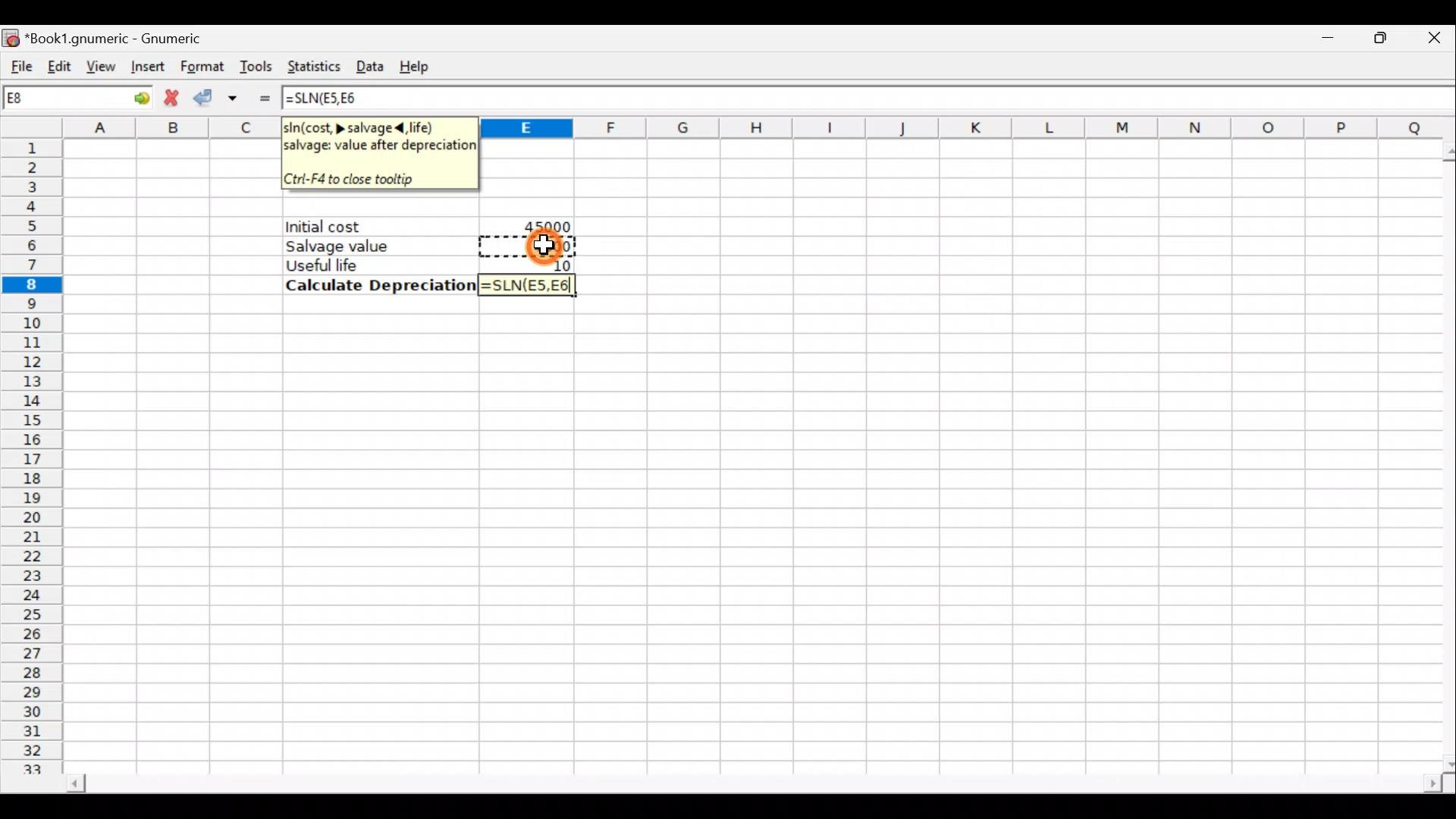 This screenshot has width=1456, height=819. What do you see at coordinates (332, 99) in the screenshot?
I see `=SLN(E5,E6` at bounding box center [332, 99].